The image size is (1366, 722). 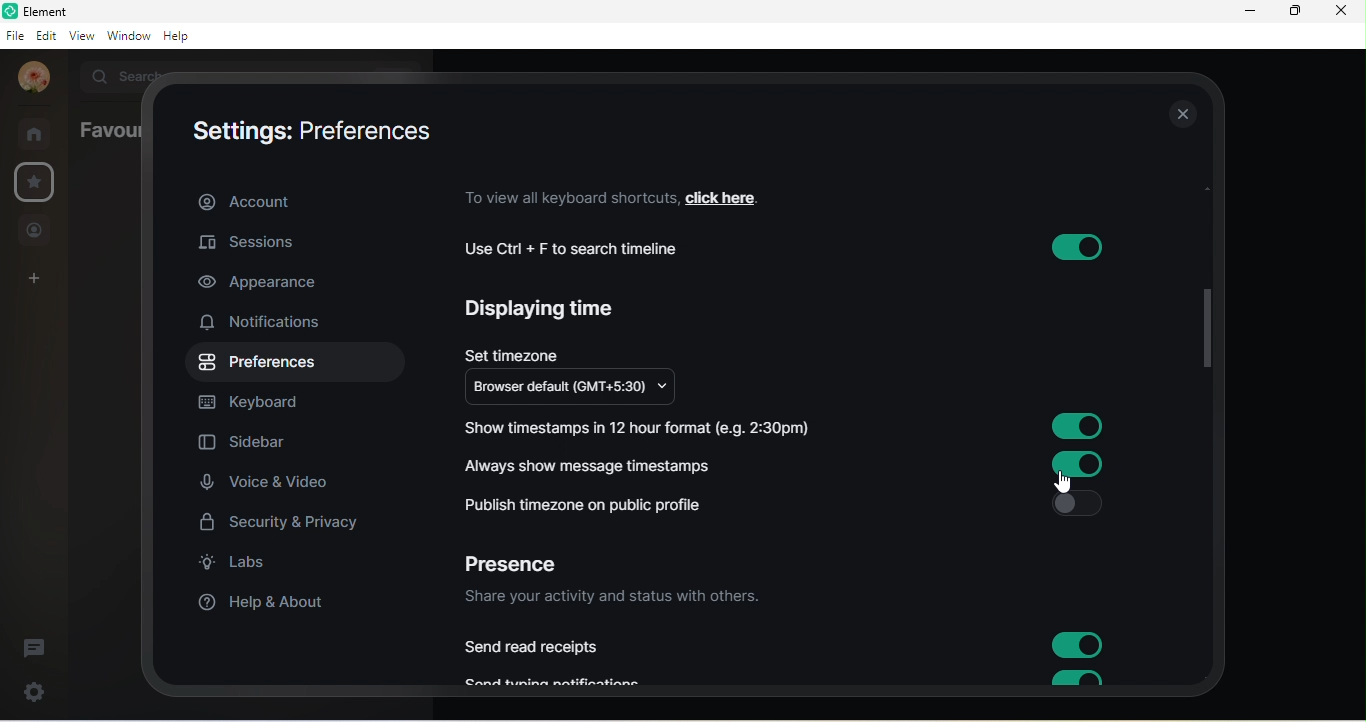 I want to click on account, so click(x=299, y=199).